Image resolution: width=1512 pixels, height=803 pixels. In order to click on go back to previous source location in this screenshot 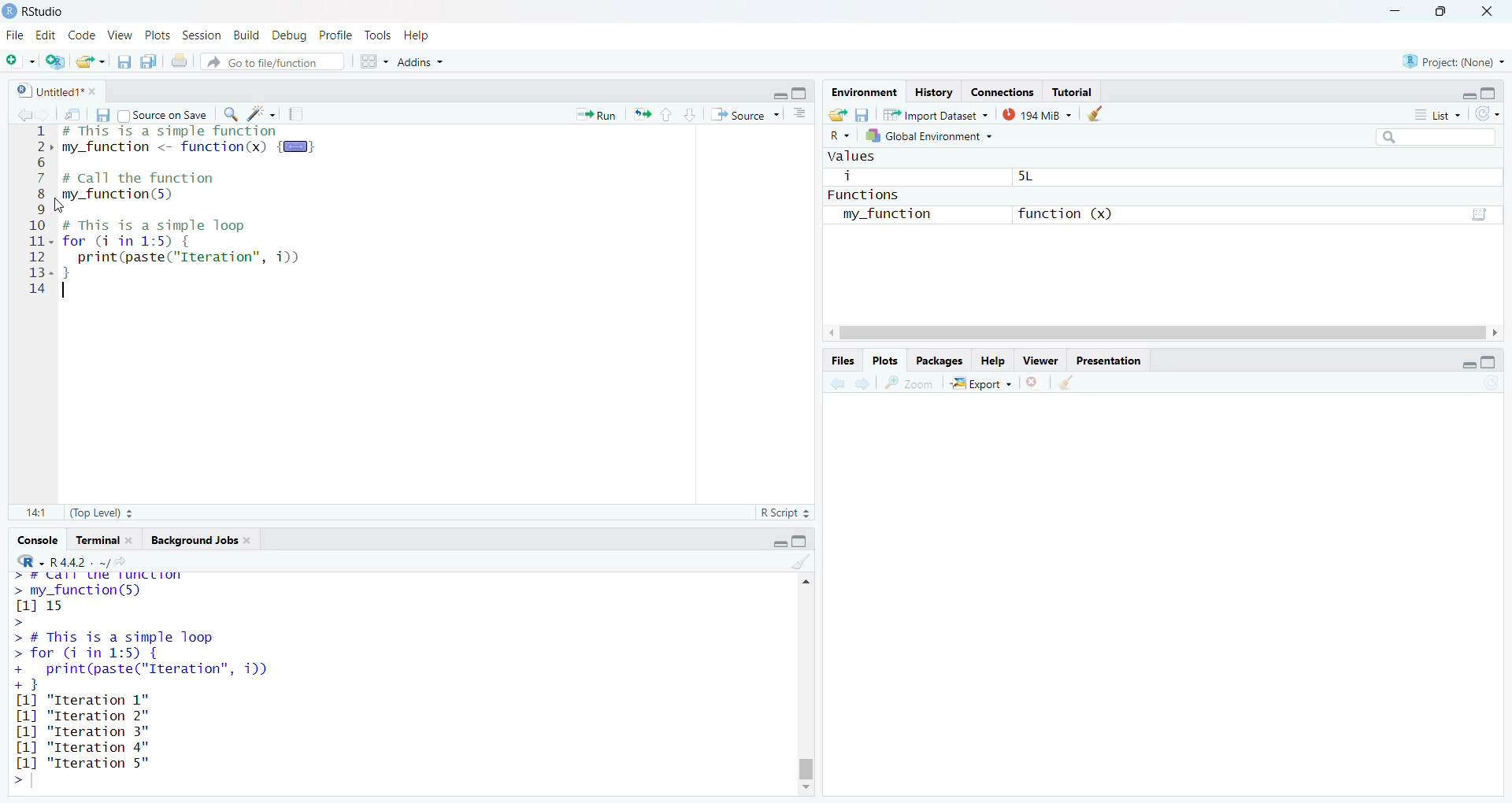, I will do `click(17, 113)`.